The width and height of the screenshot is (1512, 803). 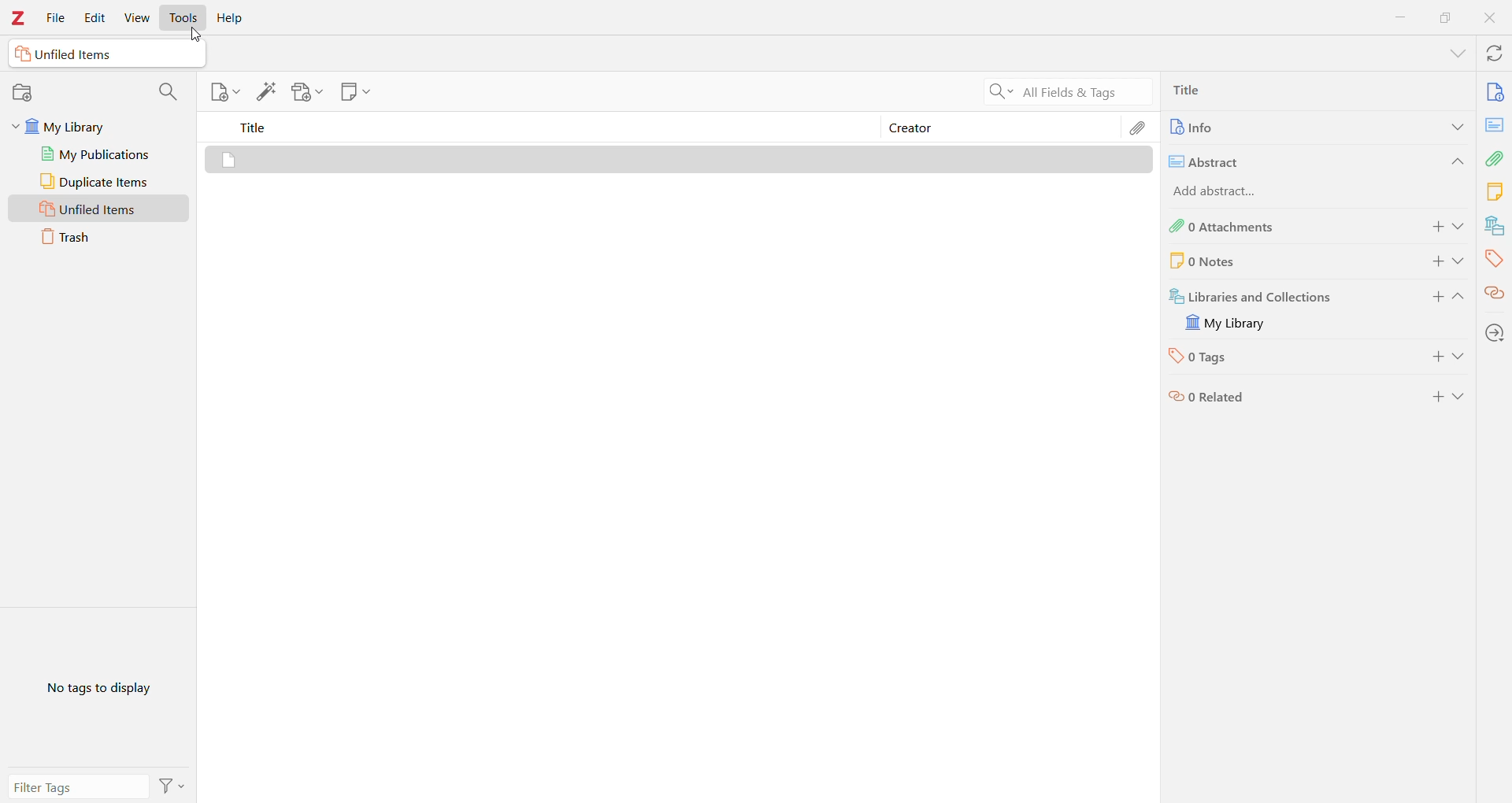 I want to click on Add Attachment, so click(x=307, y=94).